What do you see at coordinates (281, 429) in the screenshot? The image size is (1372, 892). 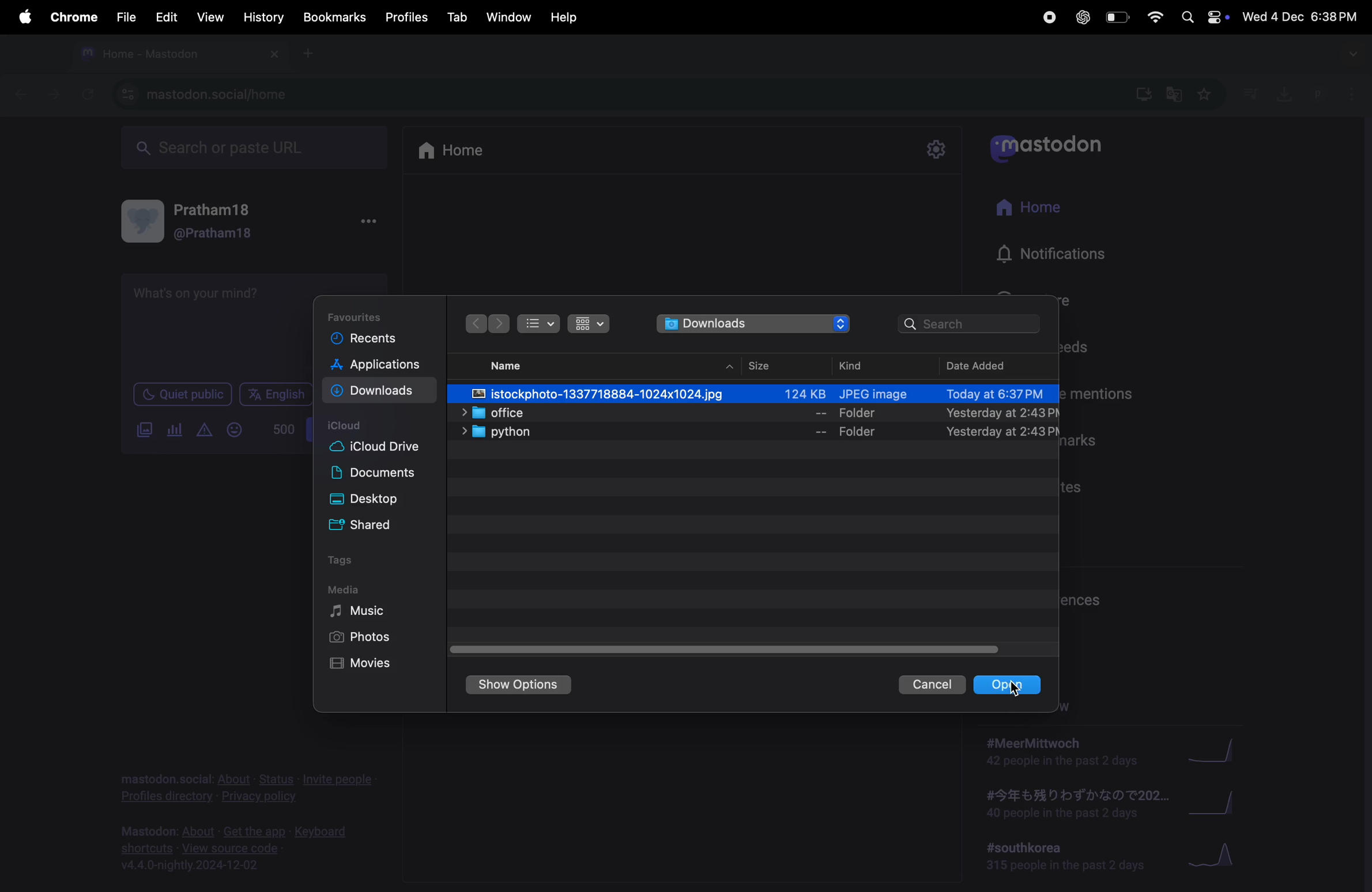 I see `500 words` at bounding box center [281, 429].